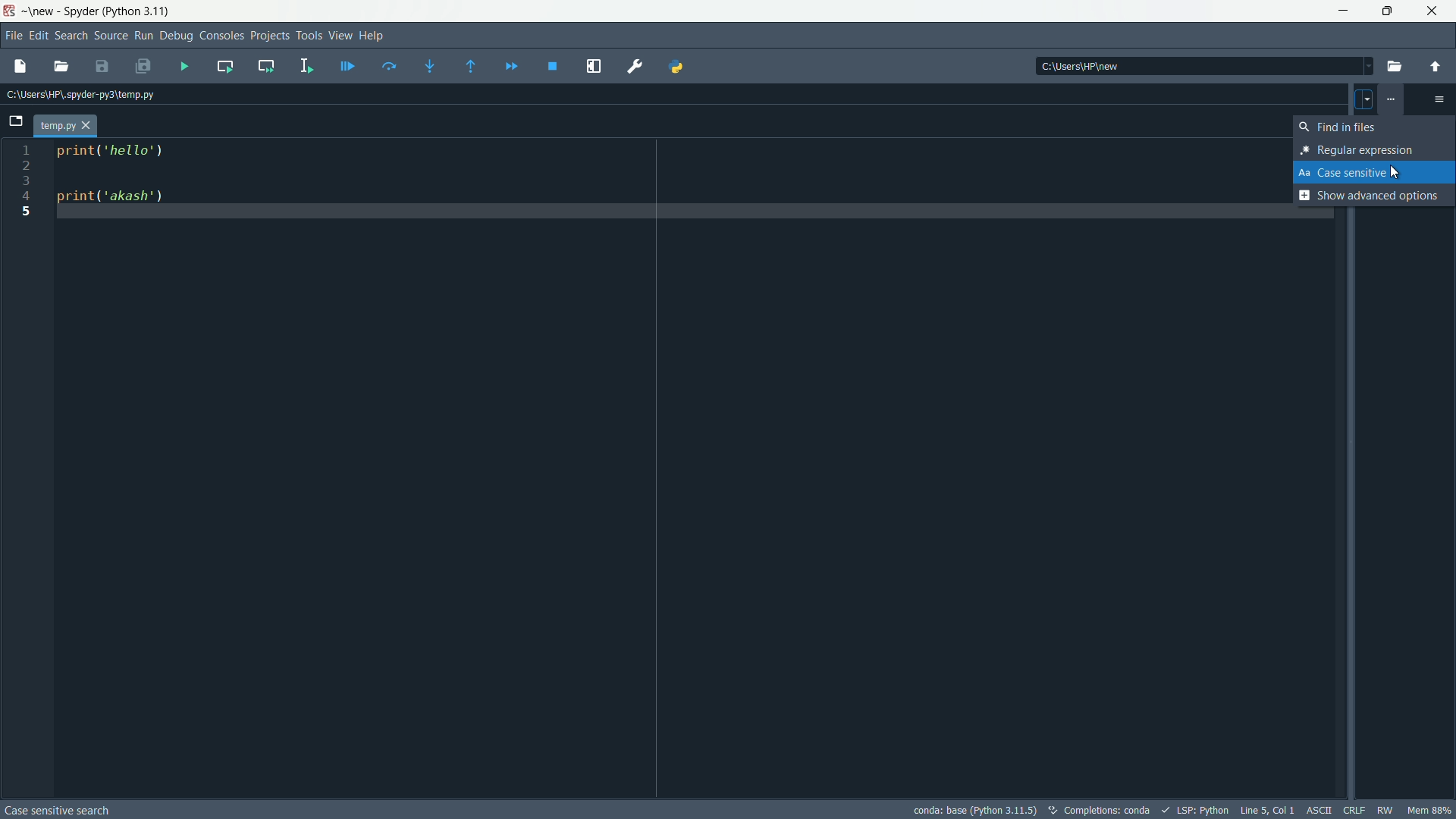  What do you see at coordinates (975, 810) in the screenshot?
I see `conda: base (Python 3.11.5)` at bounding box center [975, 810].